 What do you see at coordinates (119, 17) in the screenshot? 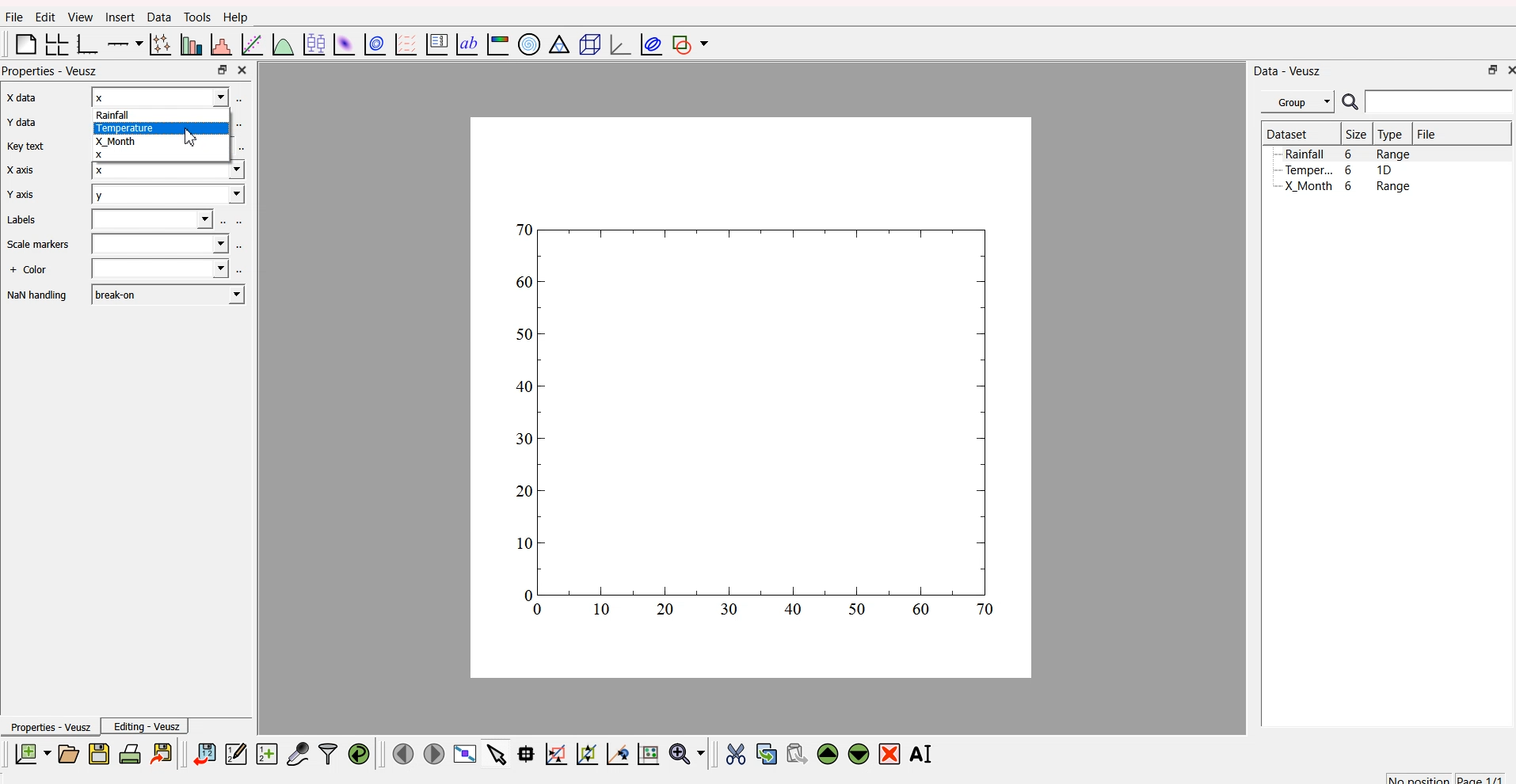
I see `Insert` at bounding box center [119, 17].